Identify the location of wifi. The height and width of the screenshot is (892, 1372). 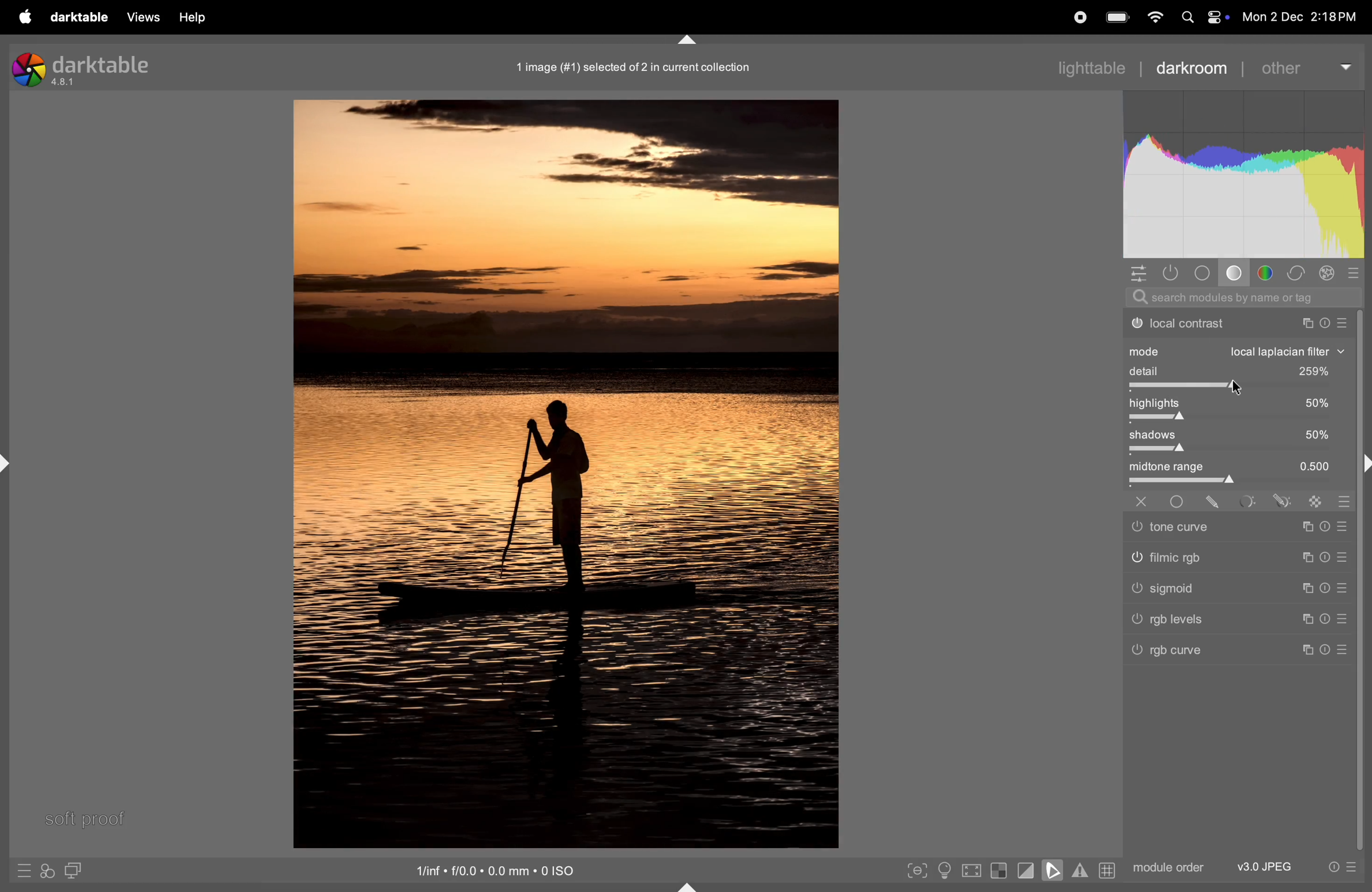
(1153, 17).